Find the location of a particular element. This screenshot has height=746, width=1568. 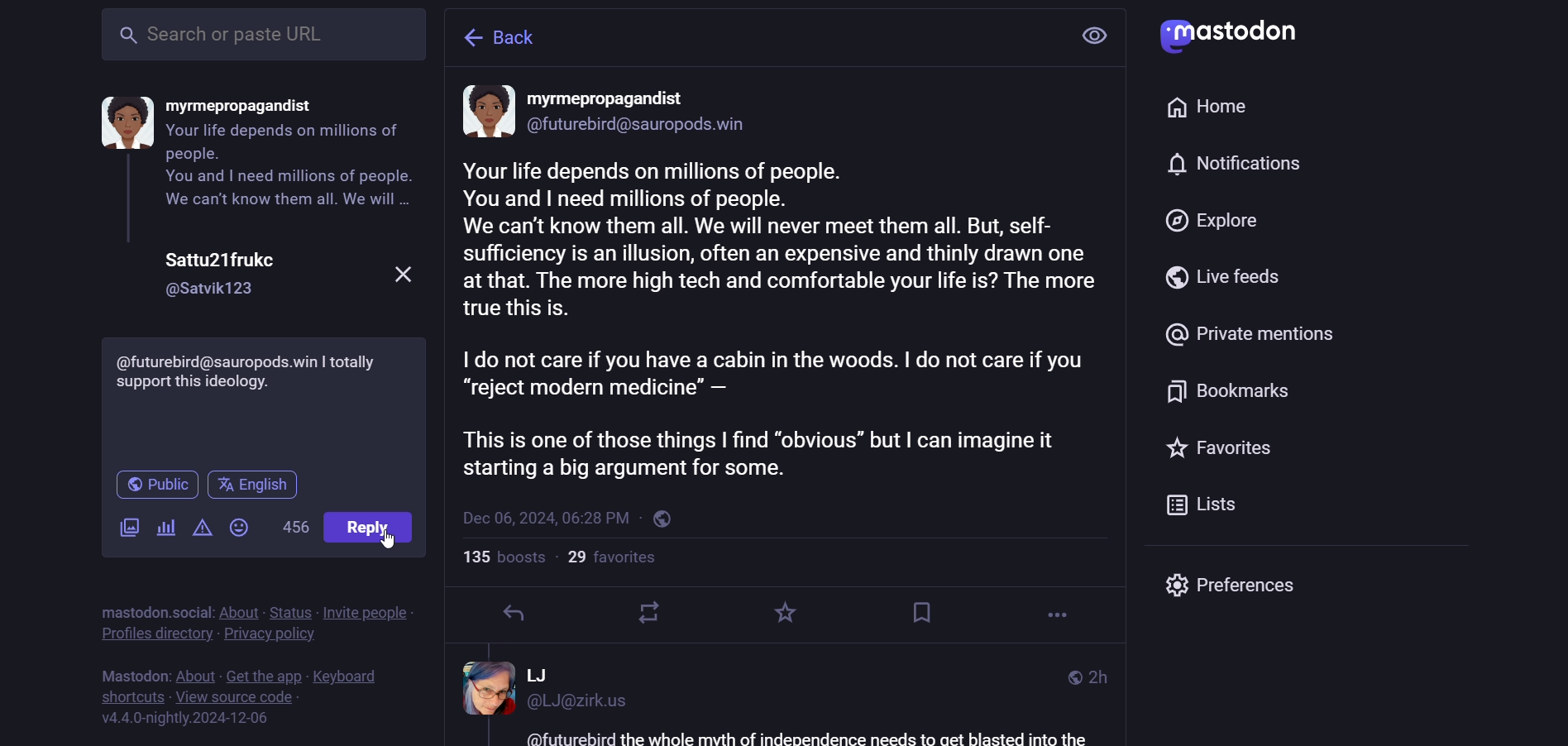

list is located at coordinates (1207, 505).